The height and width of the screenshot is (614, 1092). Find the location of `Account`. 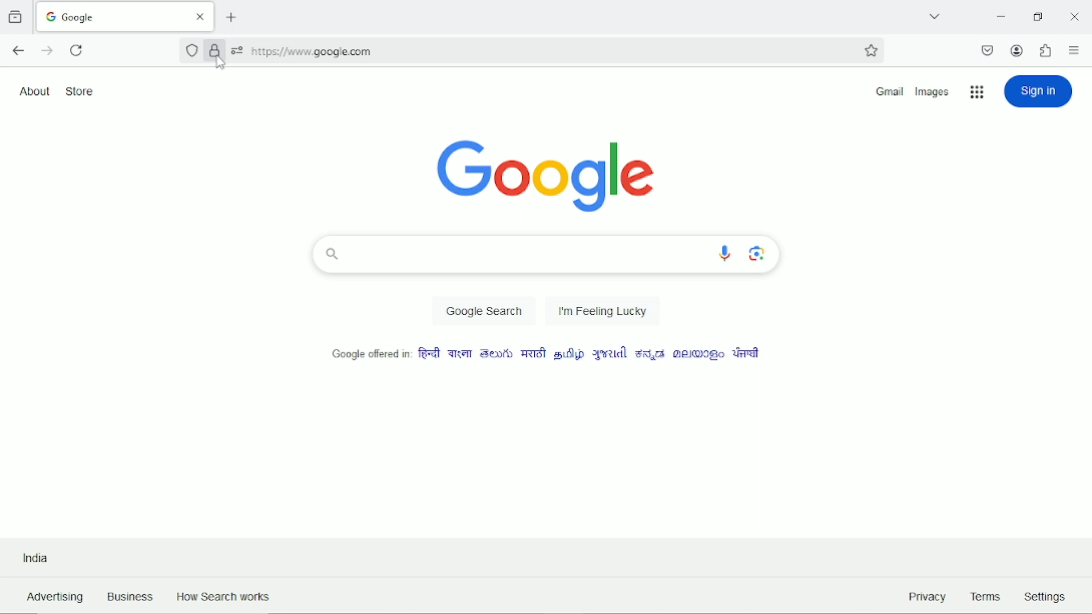

Account is located at coordinates (1017, 50).